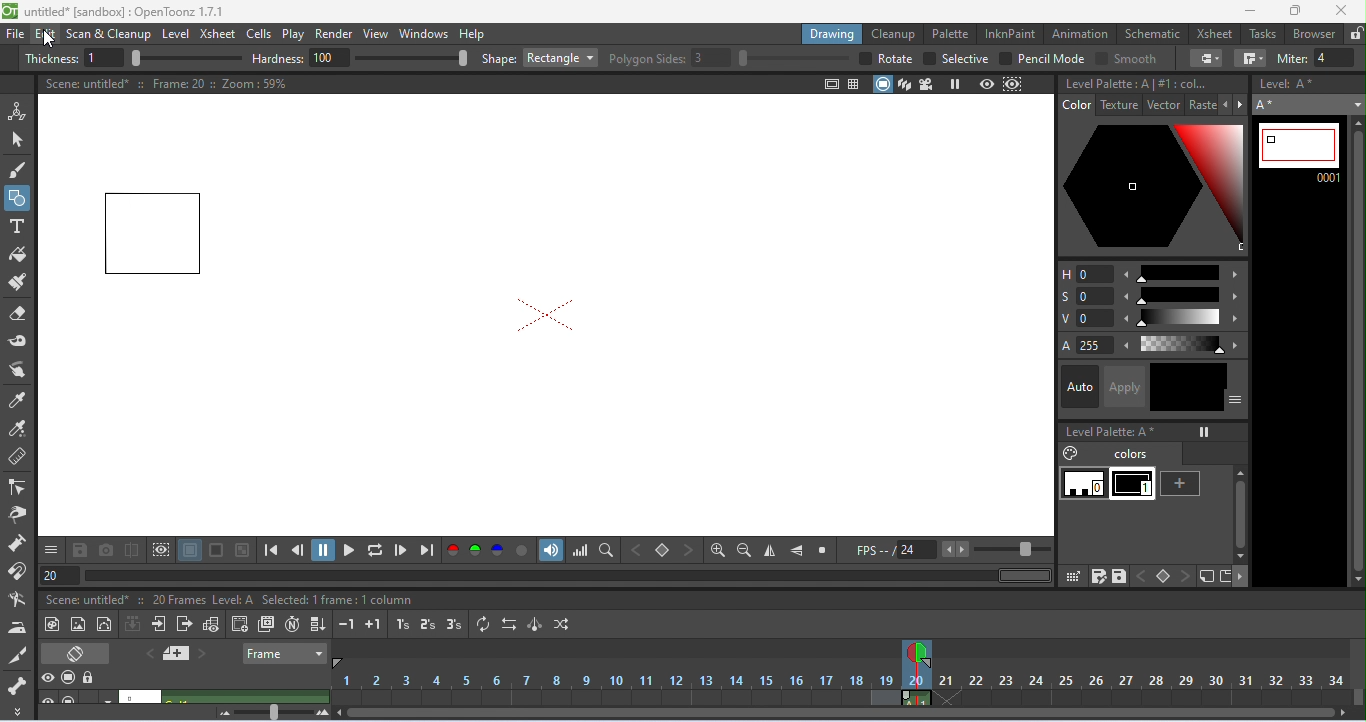  Describe the element at coordinates (688, 549) in the screenshot. I see `next key` at that location.